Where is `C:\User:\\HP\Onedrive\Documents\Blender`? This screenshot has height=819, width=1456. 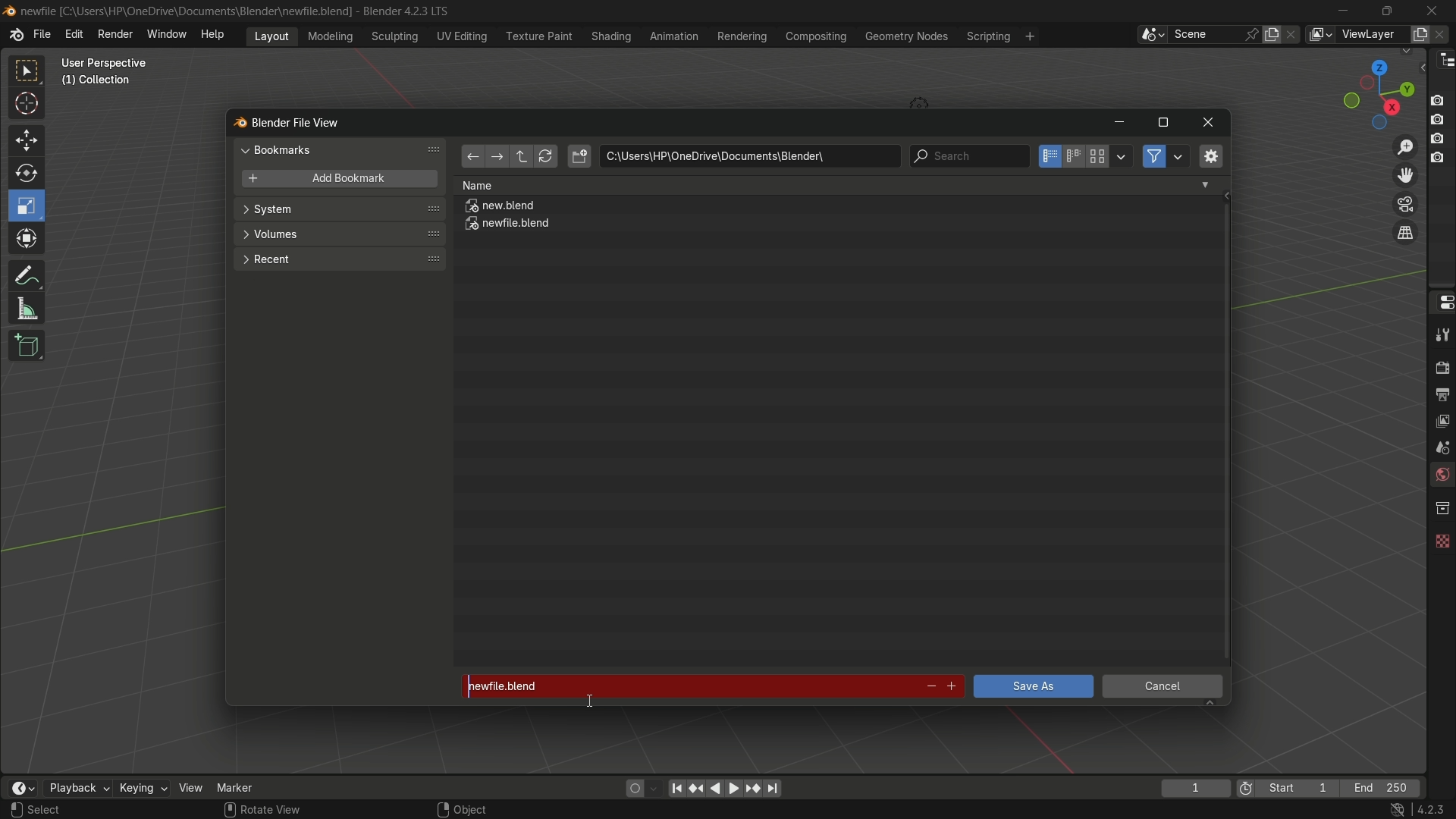 C:\User:\\HP\Onedrive\Documents\Blender is located at coordinates (187, 11).